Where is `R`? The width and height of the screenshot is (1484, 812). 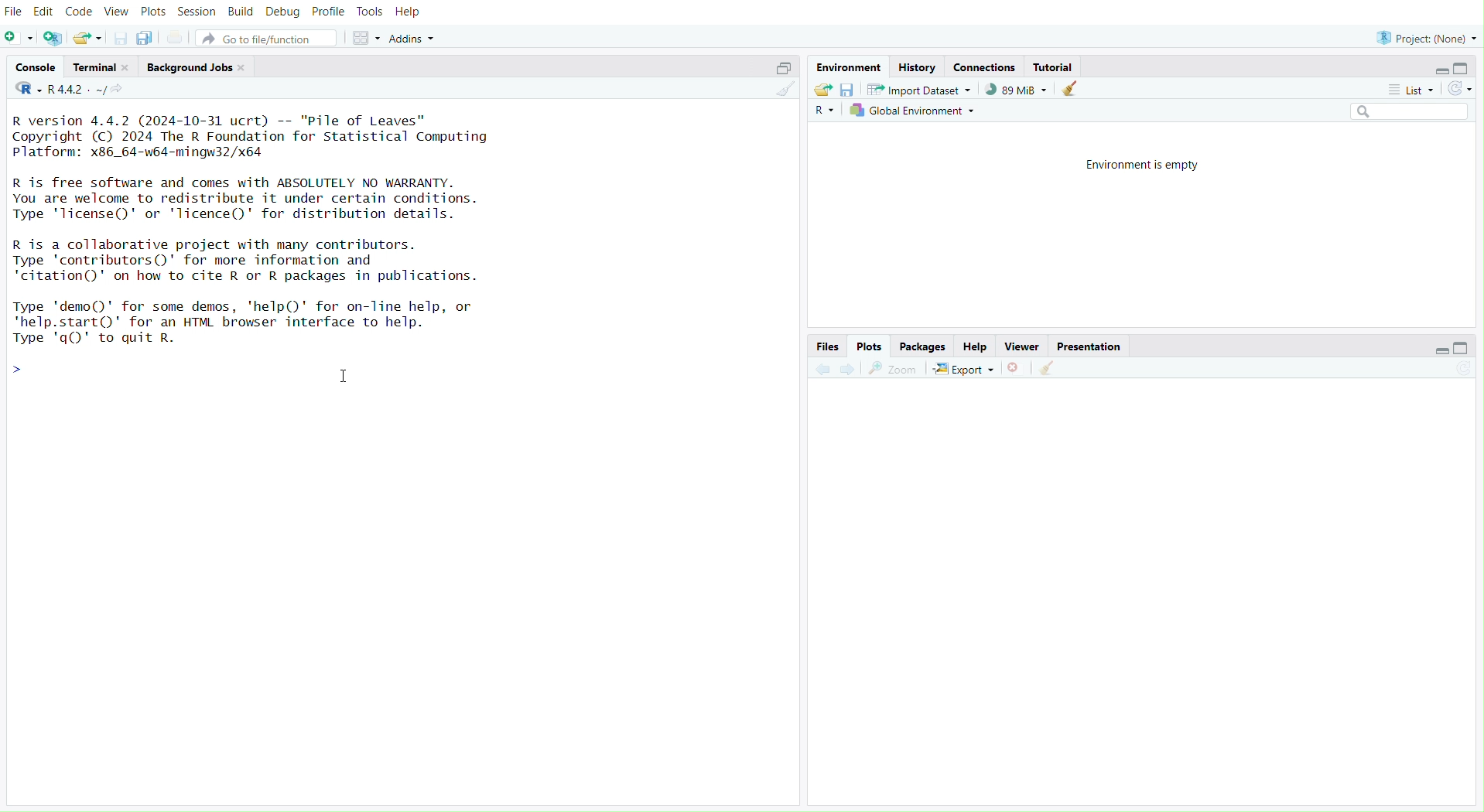 R is located at coordinates (22, 90).